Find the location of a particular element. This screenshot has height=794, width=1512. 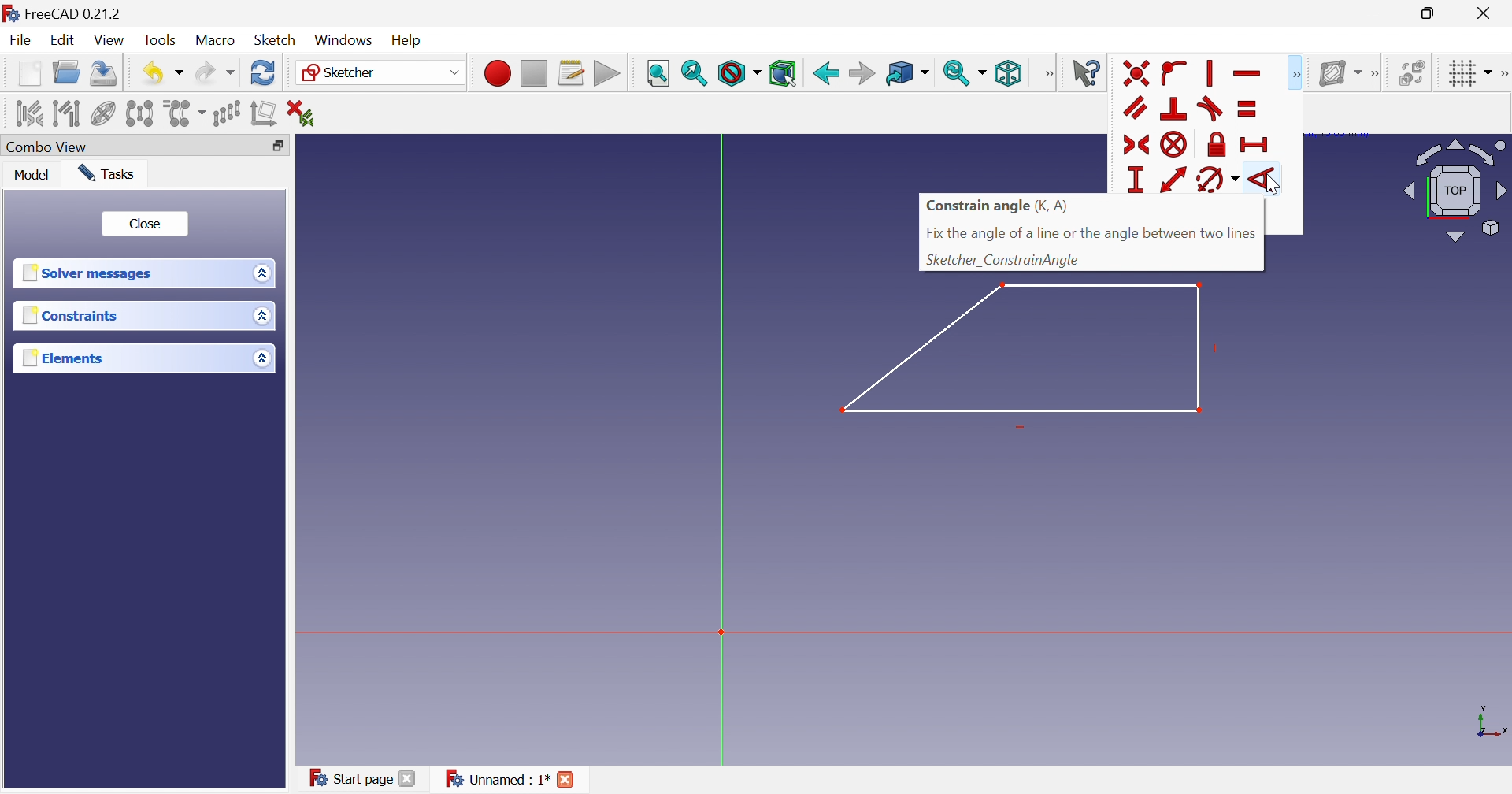

Remove axes alignment is located at coordinates (264, 116).